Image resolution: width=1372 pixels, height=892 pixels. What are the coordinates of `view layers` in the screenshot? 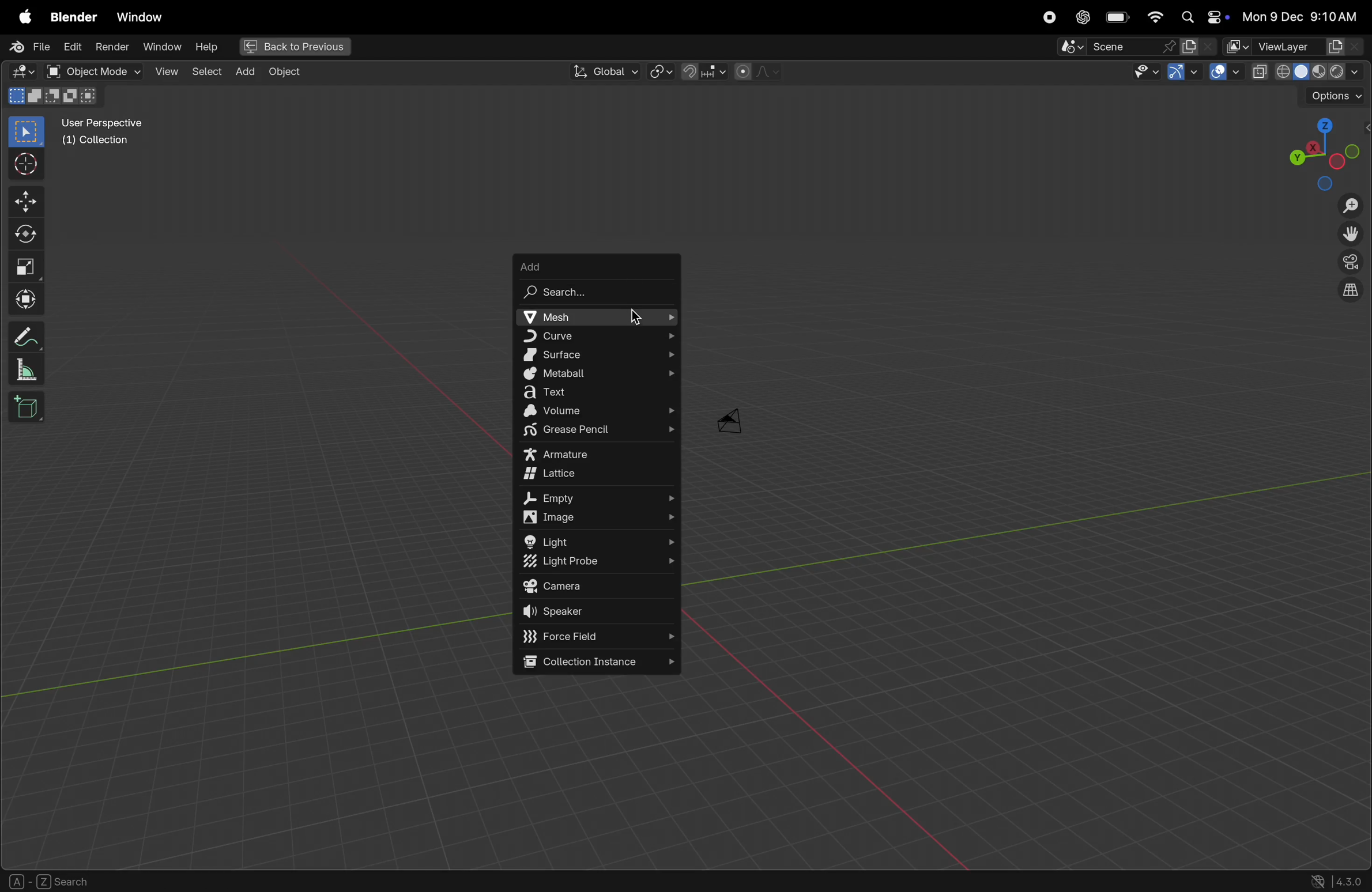 It's located at (1310, 47).